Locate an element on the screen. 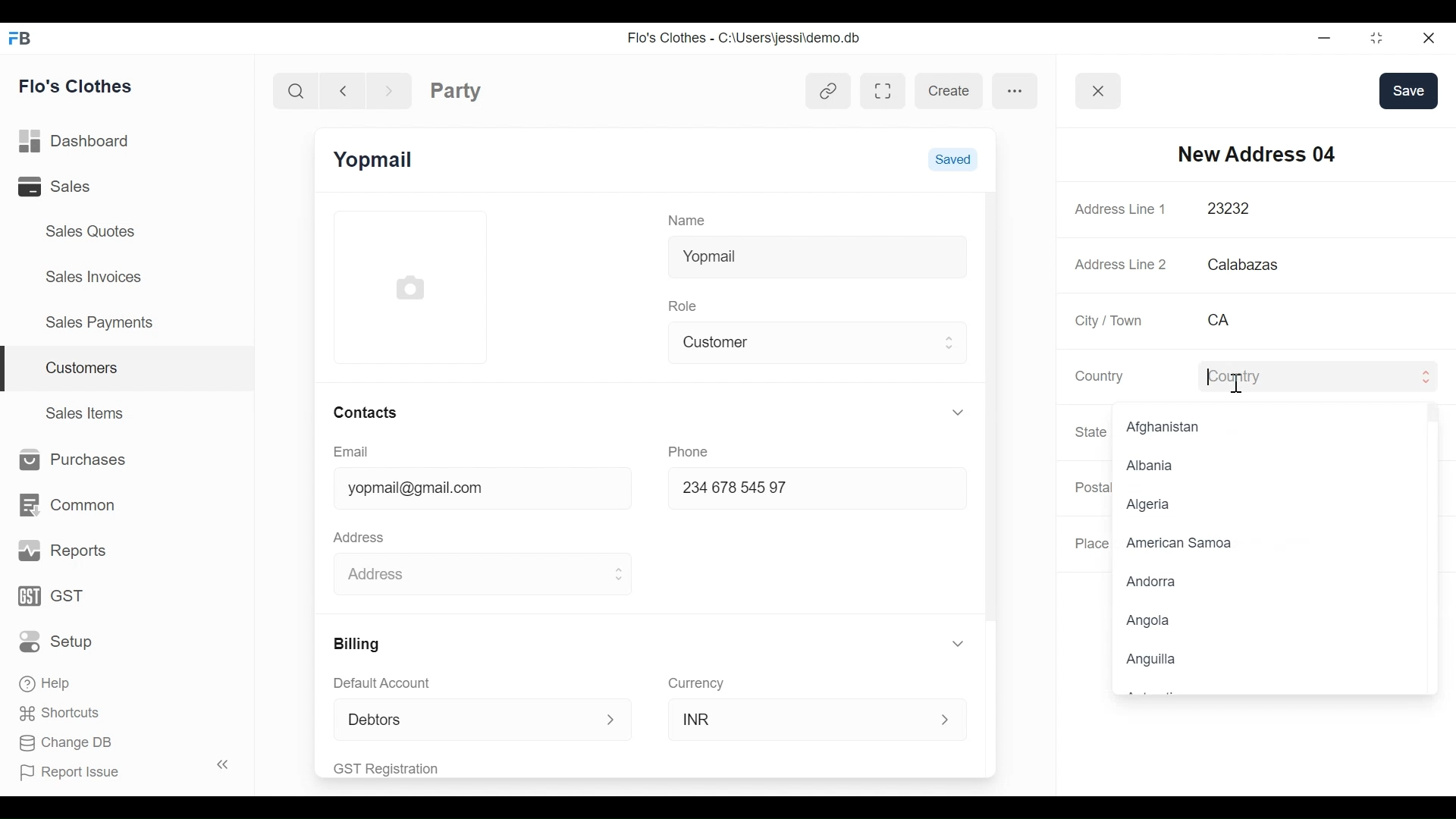  Address Line 1 is located at coordinates (1122, 209).